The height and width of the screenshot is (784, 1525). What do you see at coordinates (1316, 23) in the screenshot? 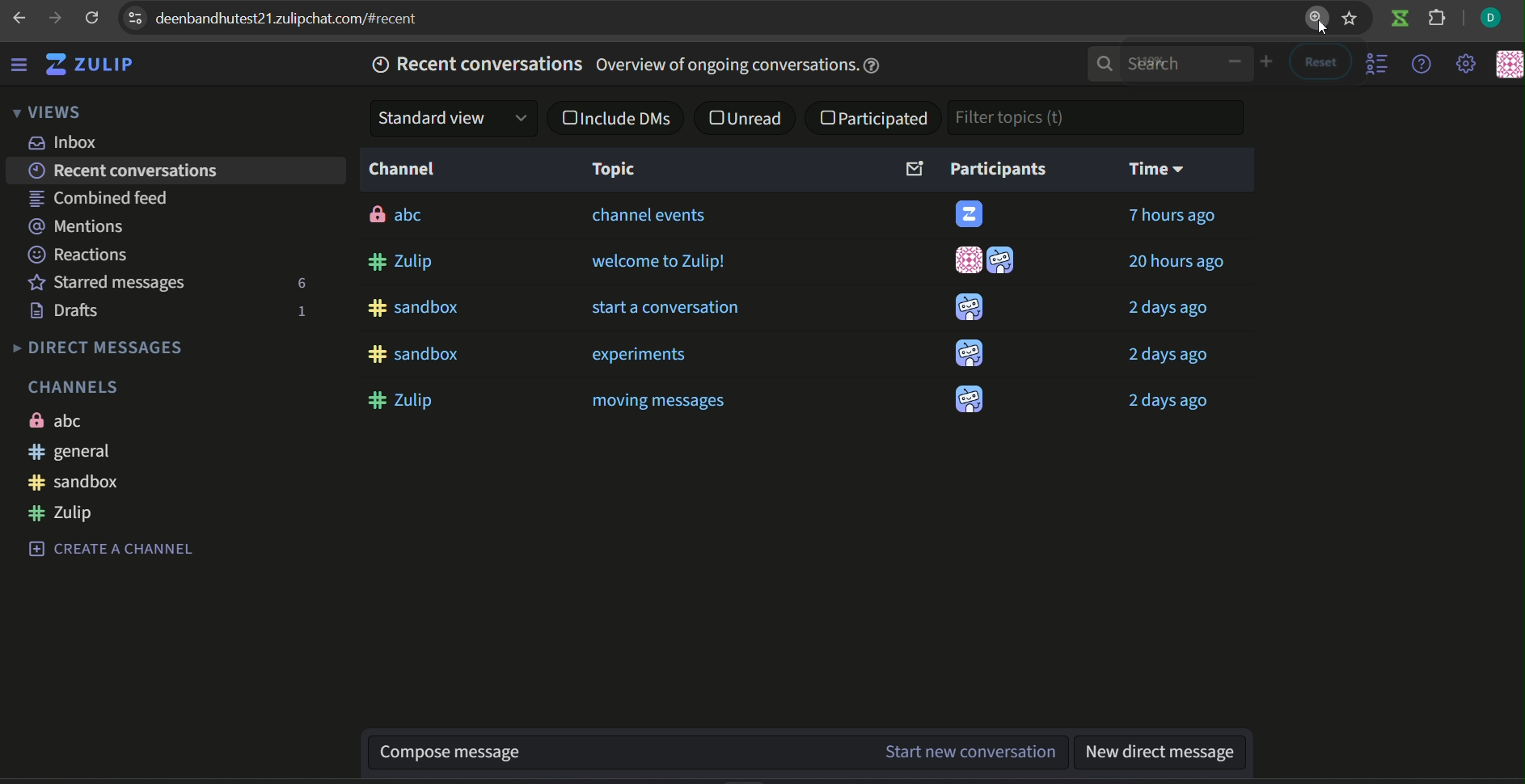
I see `cursor` at bounding box center [1316, 23].